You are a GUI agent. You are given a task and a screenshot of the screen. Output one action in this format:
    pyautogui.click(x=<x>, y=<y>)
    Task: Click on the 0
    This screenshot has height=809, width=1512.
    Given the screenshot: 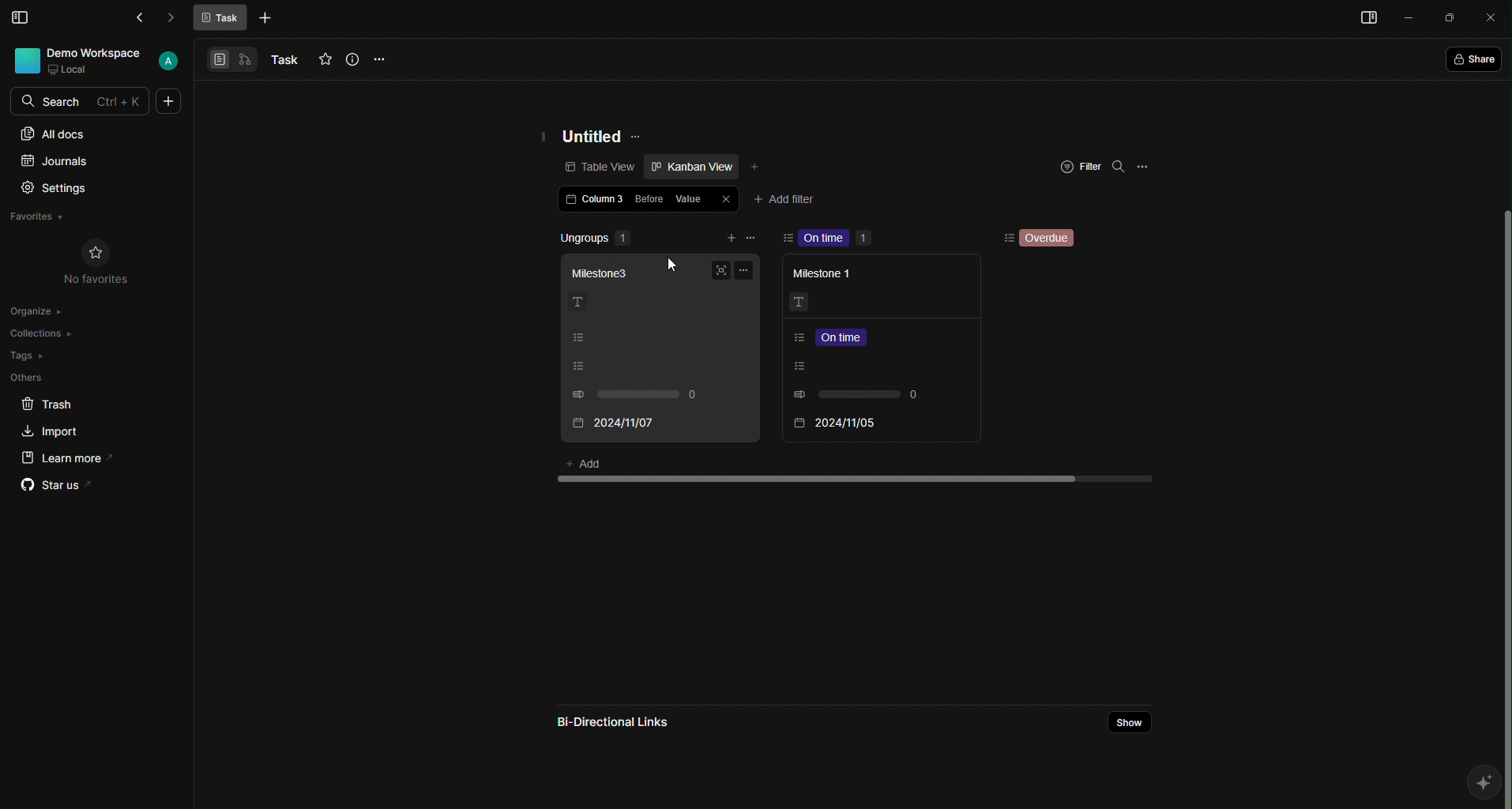 What is the action you would take?
    pyautogui.click(x=859, y=396)
    